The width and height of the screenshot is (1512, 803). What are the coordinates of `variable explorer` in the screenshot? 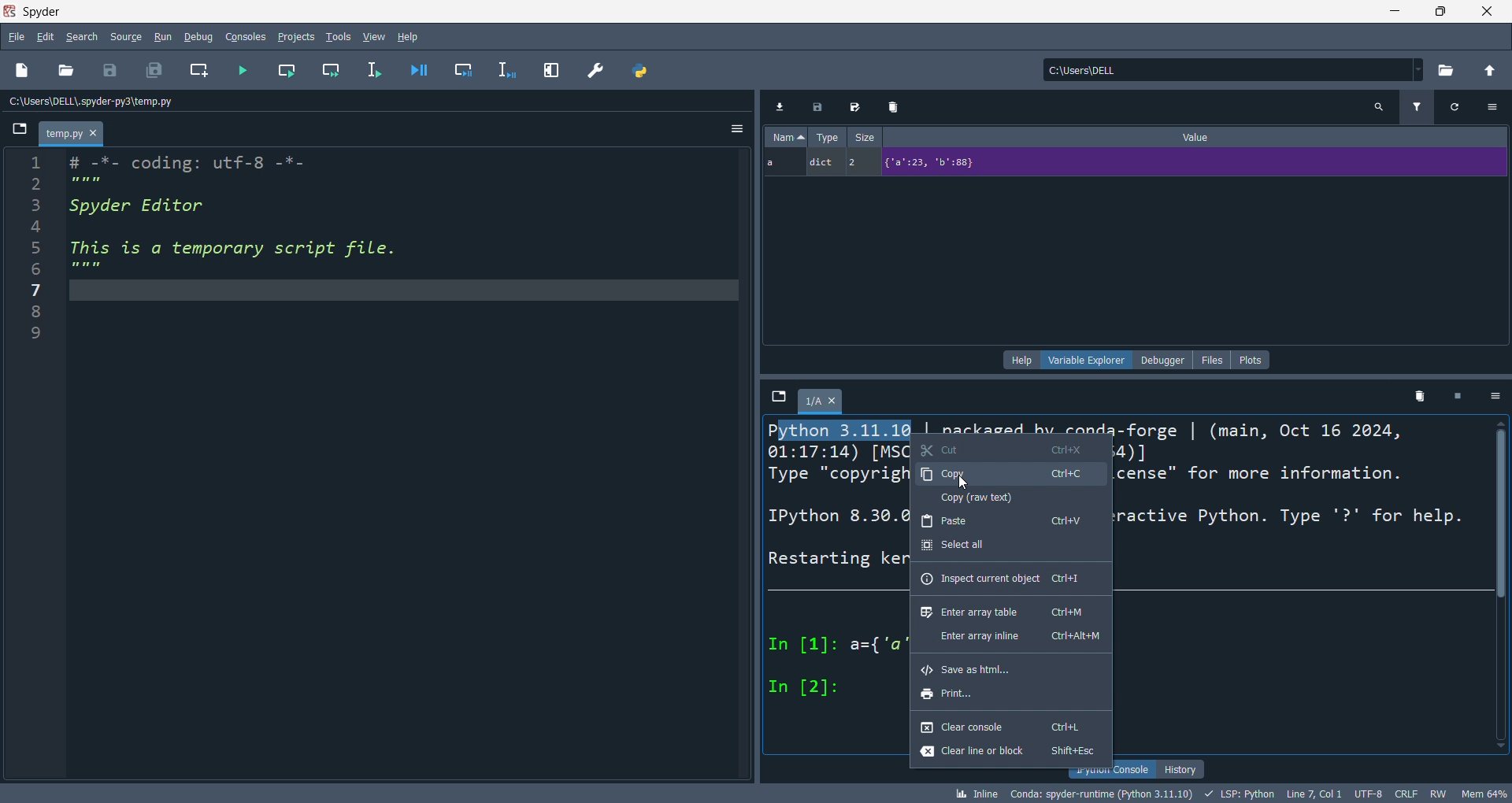 It's located at (1085, 361).